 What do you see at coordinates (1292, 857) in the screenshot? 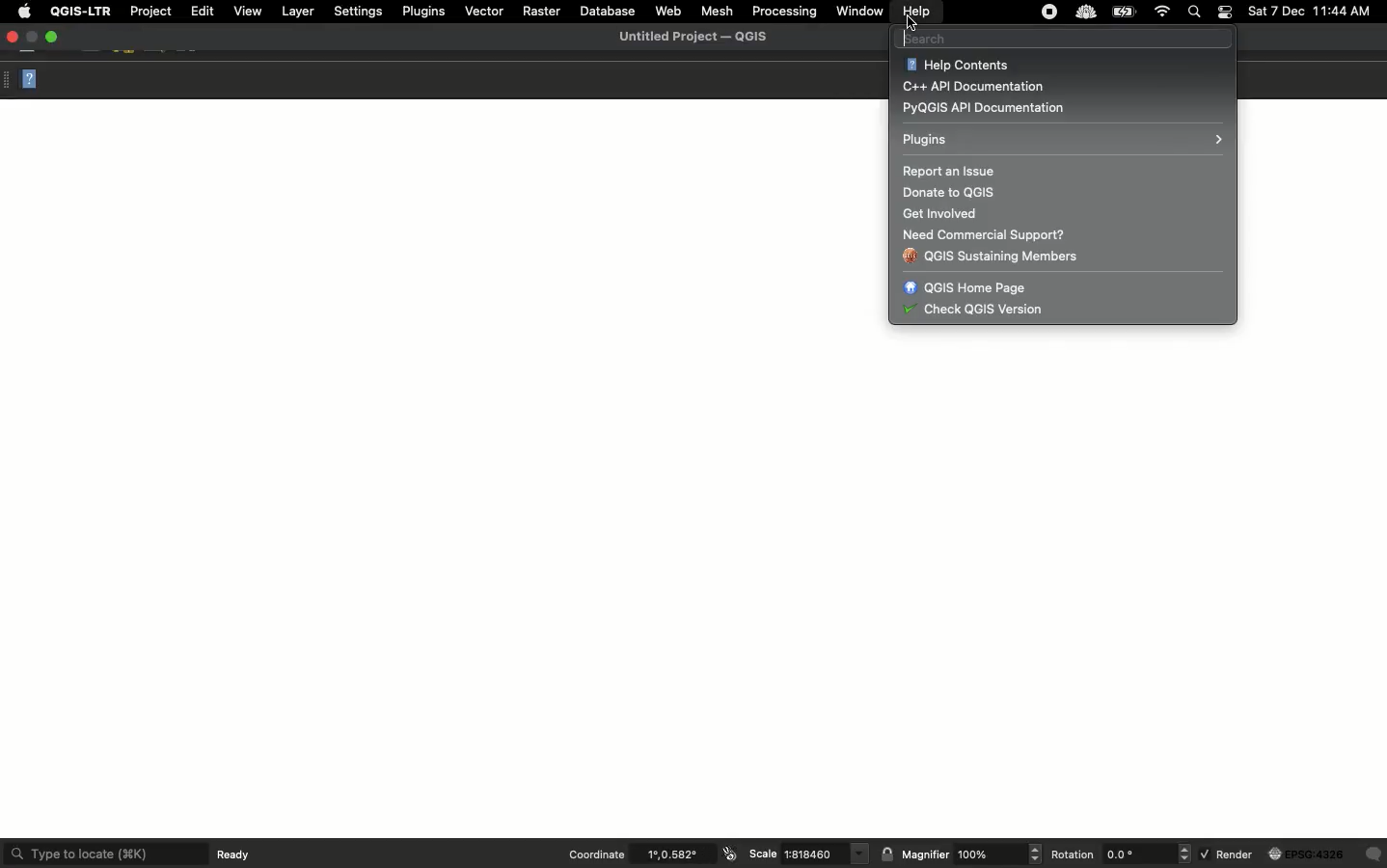
I see `Render` at bounding box center [1292, 857].